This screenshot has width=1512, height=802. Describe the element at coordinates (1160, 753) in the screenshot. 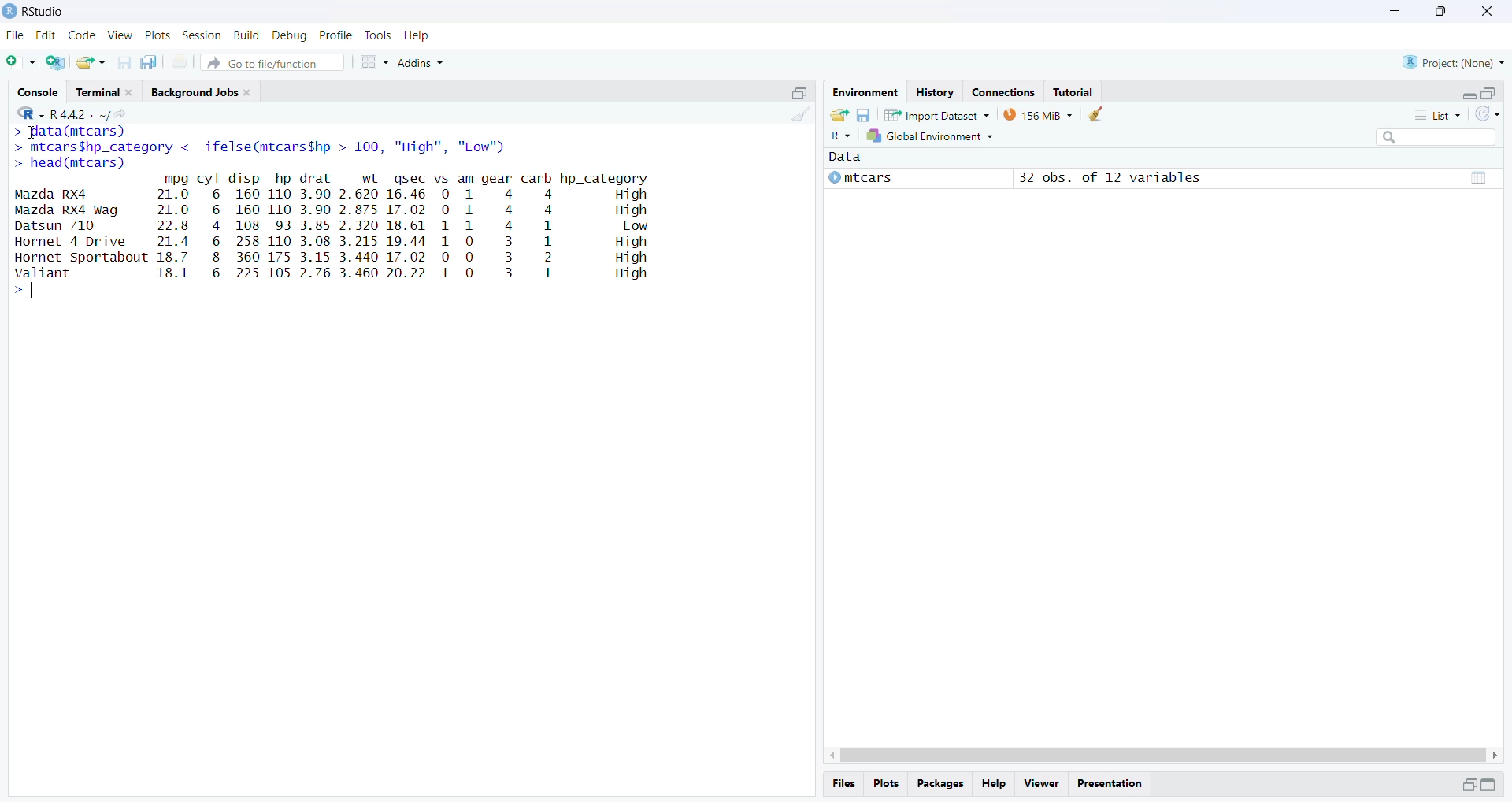

I see `Scrollbar` at that location.